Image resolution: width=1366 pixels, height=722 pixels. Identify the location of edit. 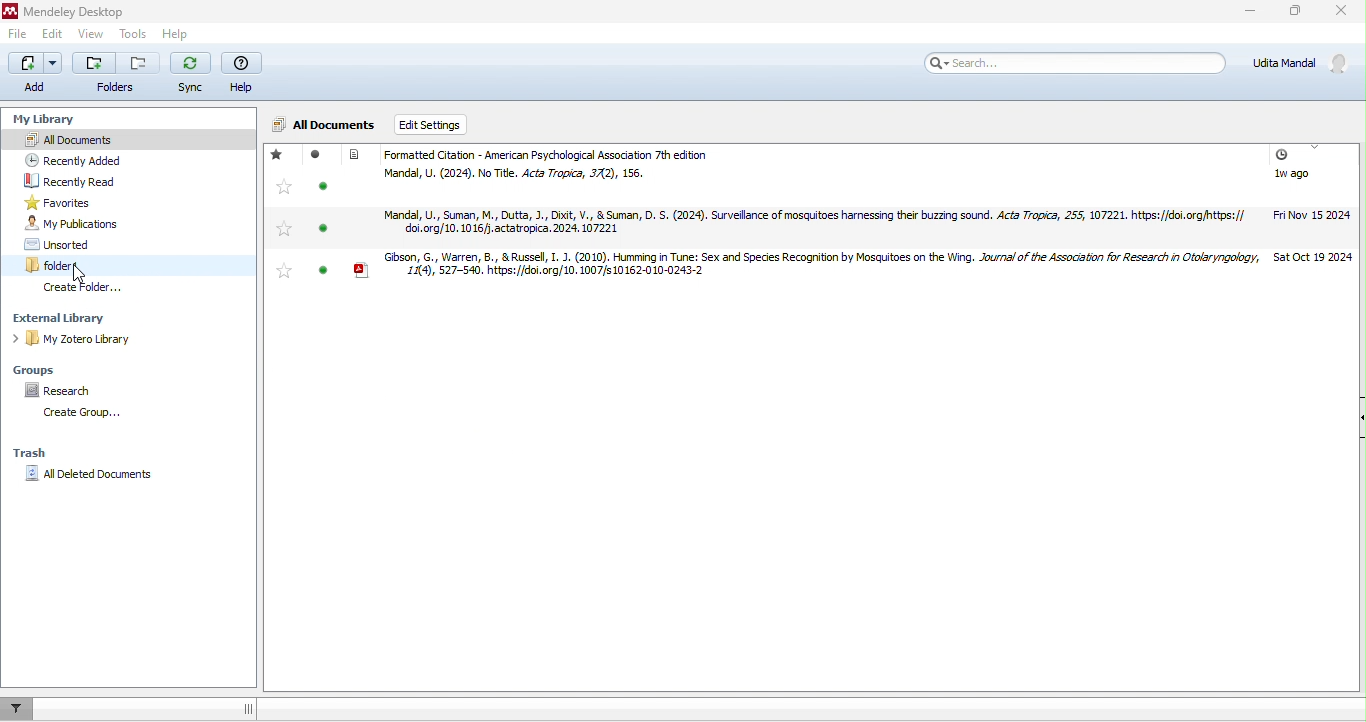
(55, 35).